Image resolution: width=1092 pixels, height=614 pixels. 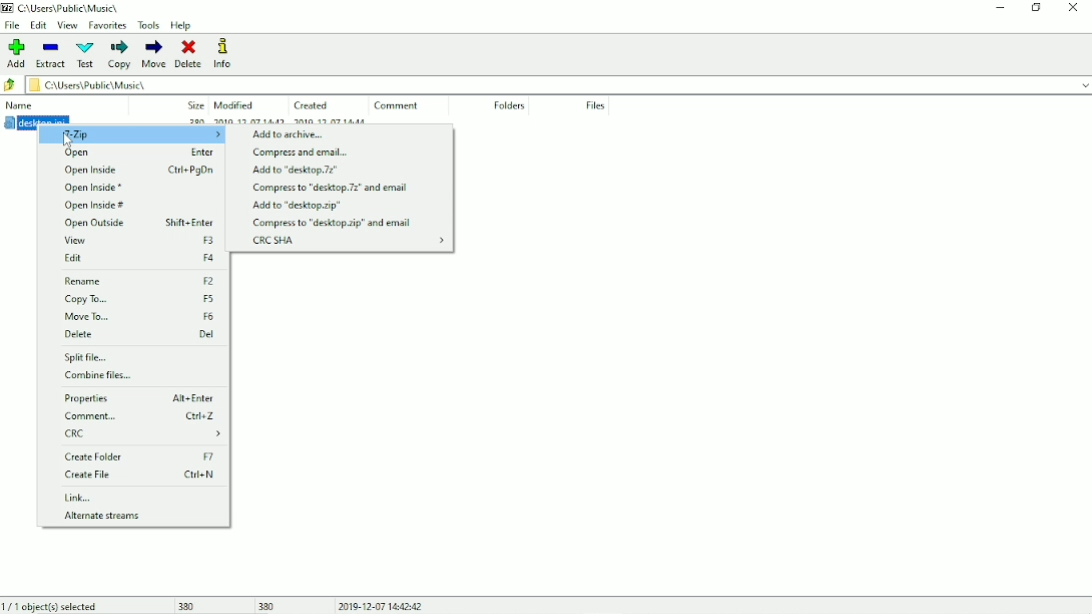 I want to click on Created, so click(x=310, y=104).